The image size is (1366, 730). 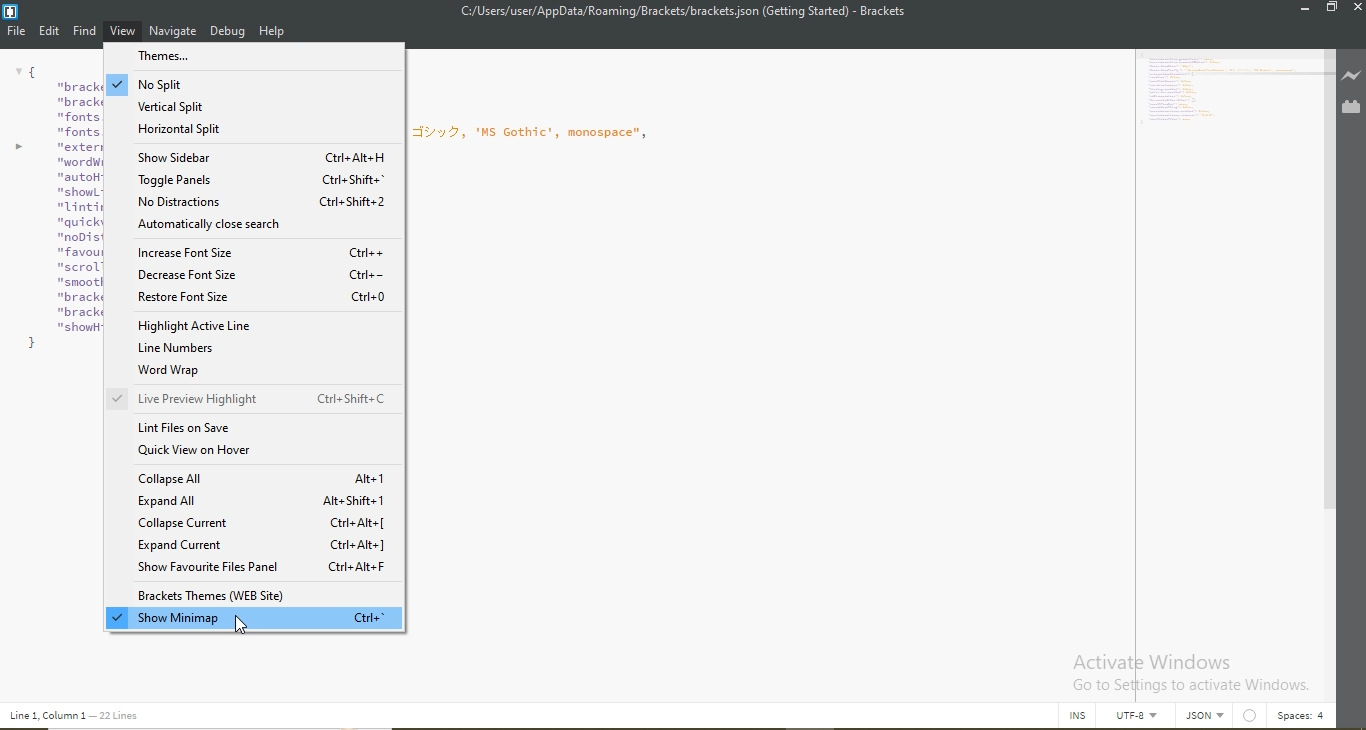 I want to click on show minimap, so click(x=251, y=618).